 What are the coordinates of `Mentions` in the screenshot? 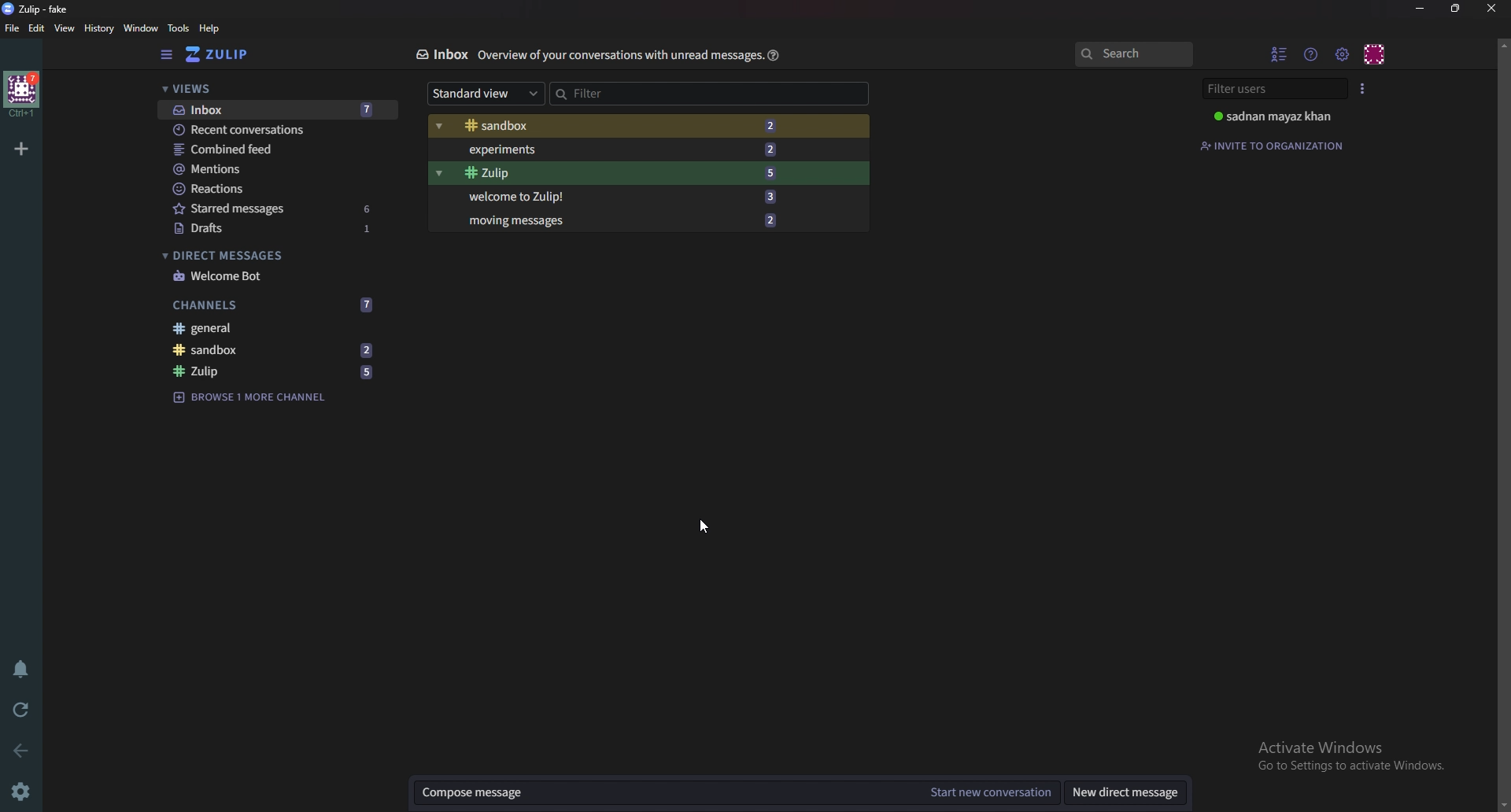 It's located at (268, 168).